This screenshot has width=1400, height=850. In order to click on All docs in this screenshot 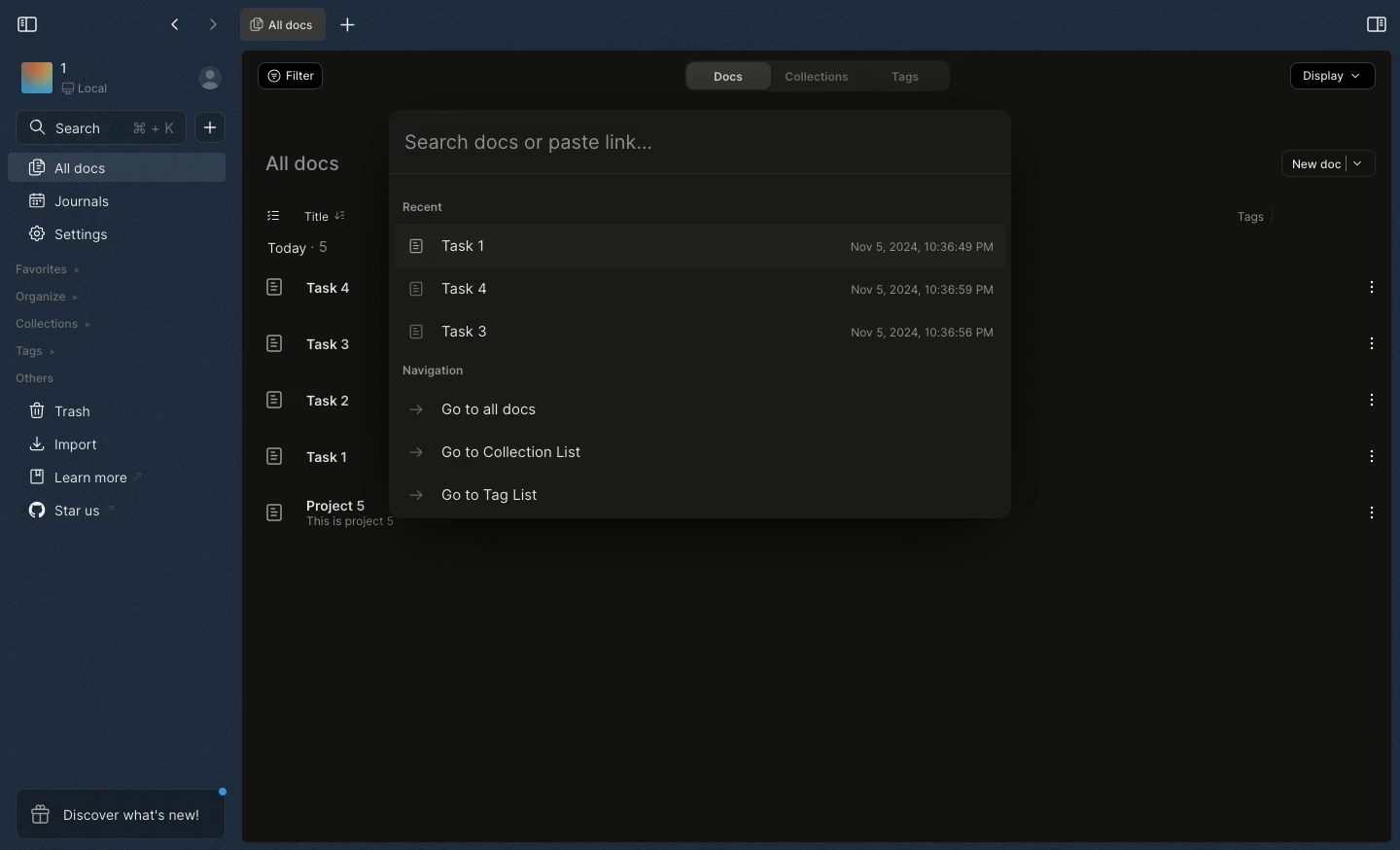, I will do `click(74, 165)`.